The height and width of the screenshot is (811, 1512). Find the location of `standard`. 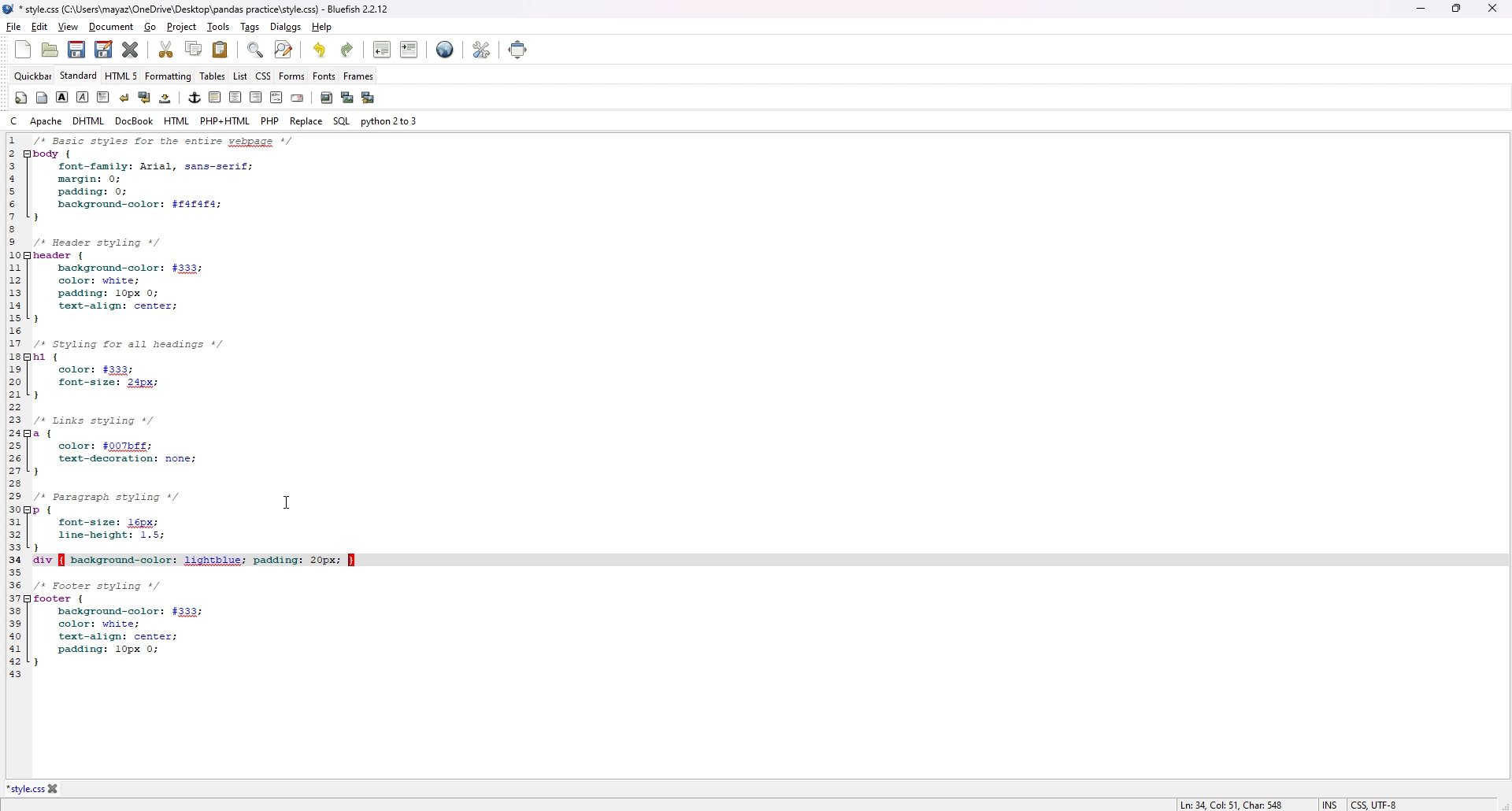

standard is located at coordinates (80, 76).